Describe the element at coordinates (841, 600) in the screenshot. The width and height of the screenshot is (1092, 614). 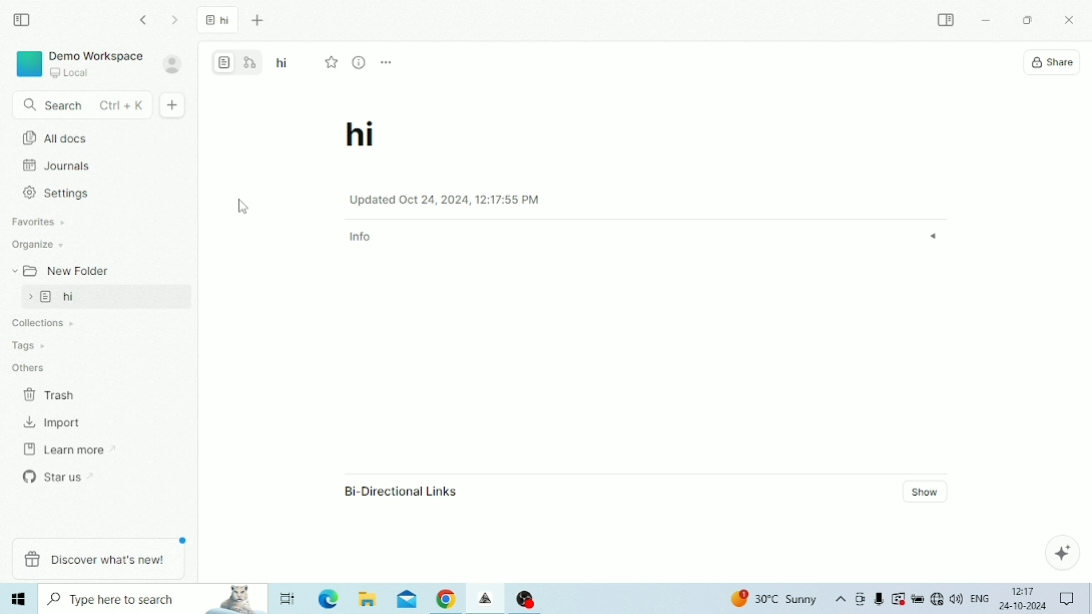
I see `Show hidden icons` at that location.